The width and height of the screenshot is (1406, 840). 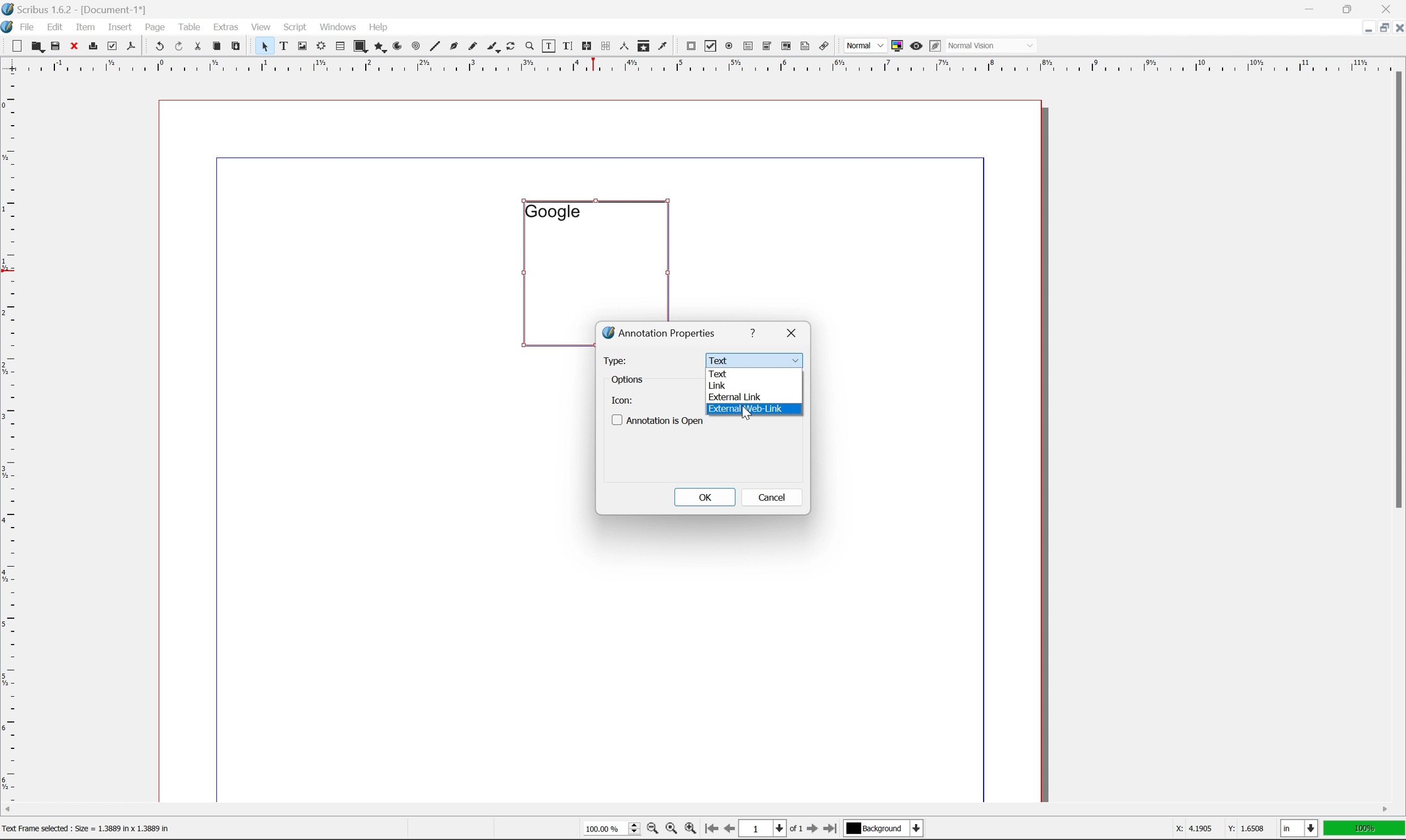 I want to click on Cursor, so click(x=747, y=415).